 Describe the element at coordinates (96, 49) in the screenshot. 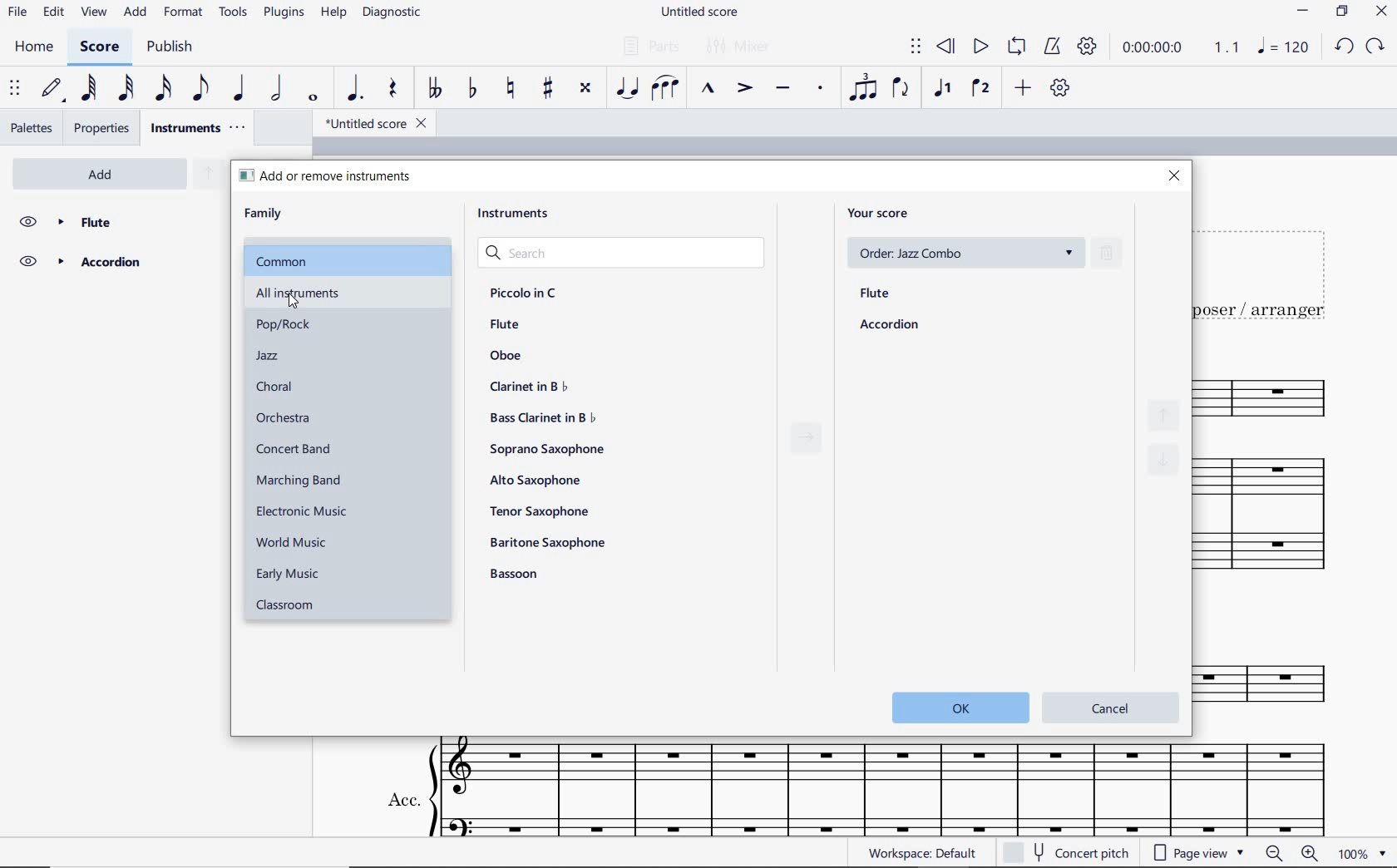

I see `SCORE` at that location.